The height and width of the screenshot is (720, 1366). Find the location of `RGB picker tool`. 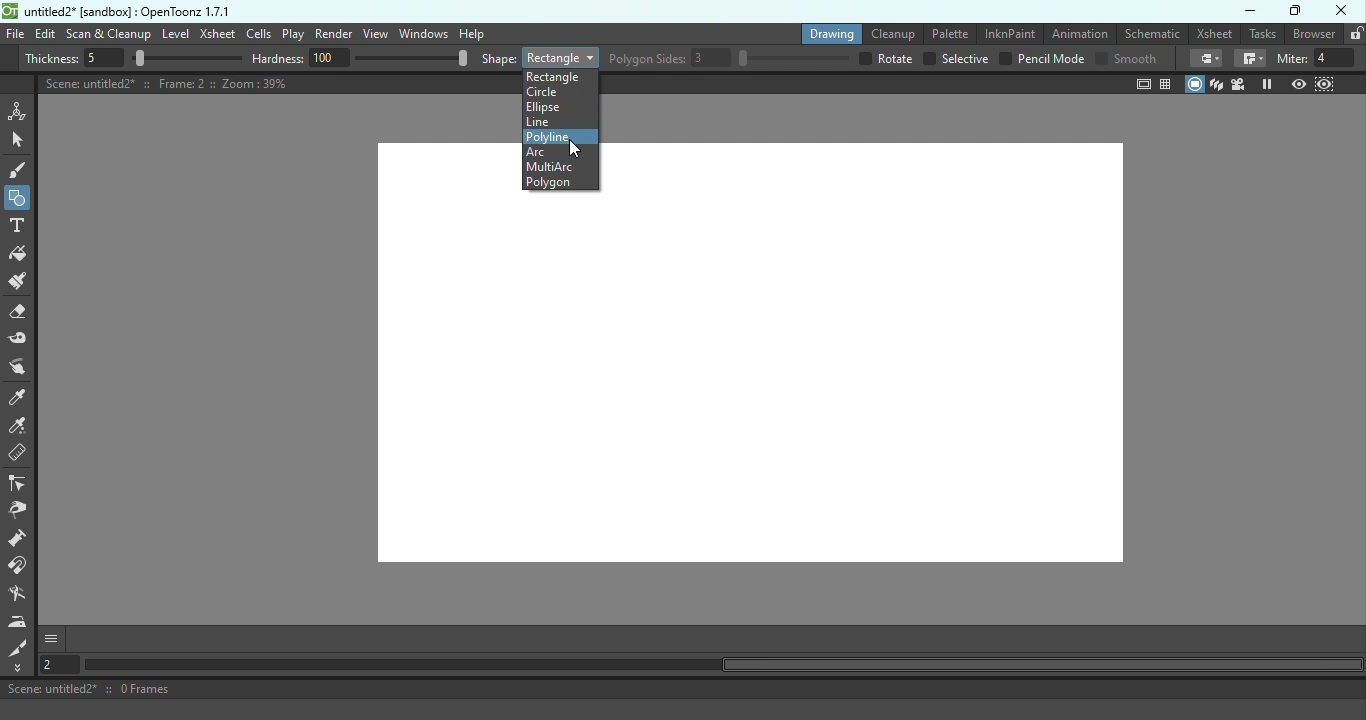

RGB picker tool is located at coordinates (21, 428).